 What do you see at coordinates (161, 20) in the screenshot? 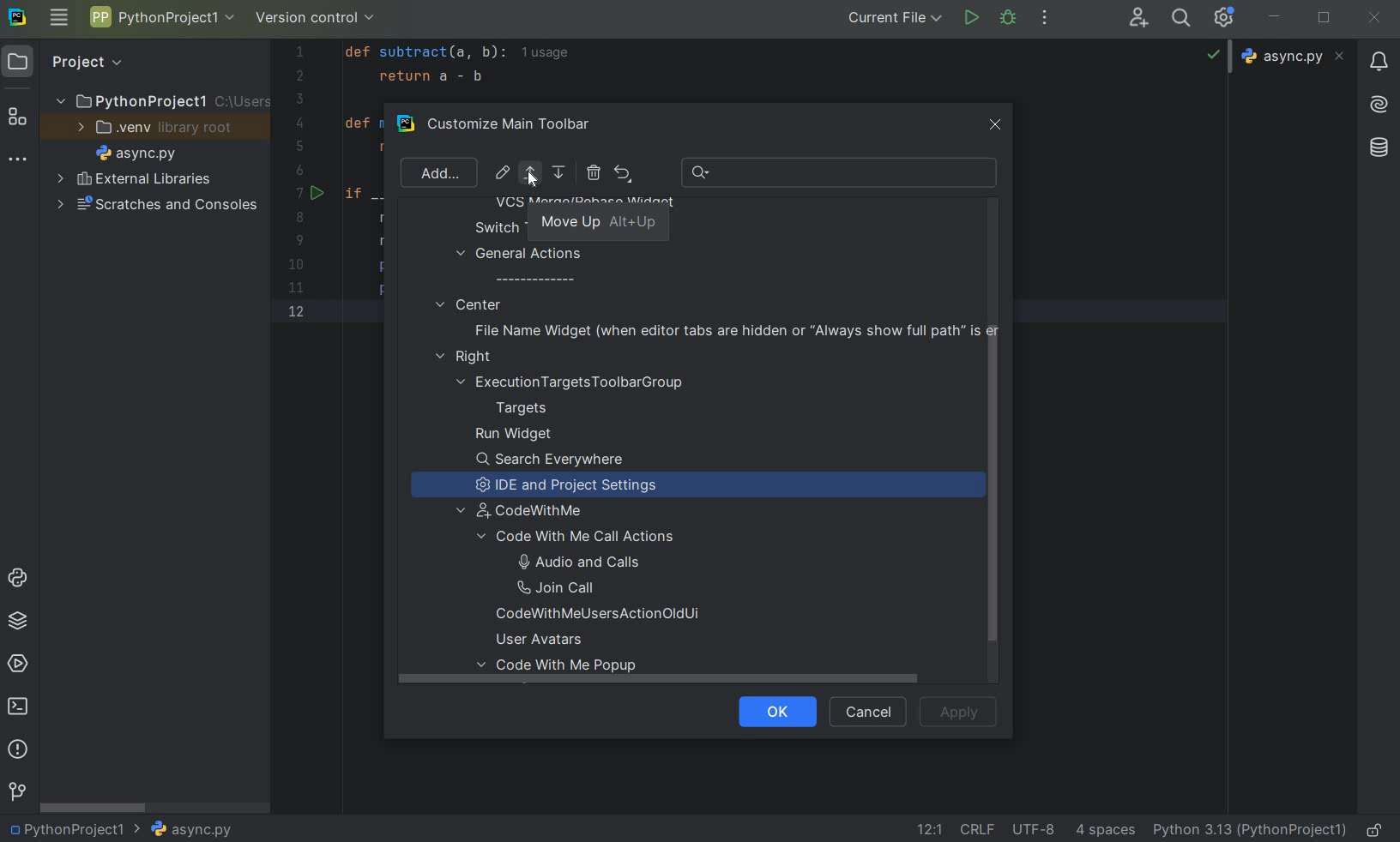
I see `PROJECT NAME` at bounding box center [161, 20].